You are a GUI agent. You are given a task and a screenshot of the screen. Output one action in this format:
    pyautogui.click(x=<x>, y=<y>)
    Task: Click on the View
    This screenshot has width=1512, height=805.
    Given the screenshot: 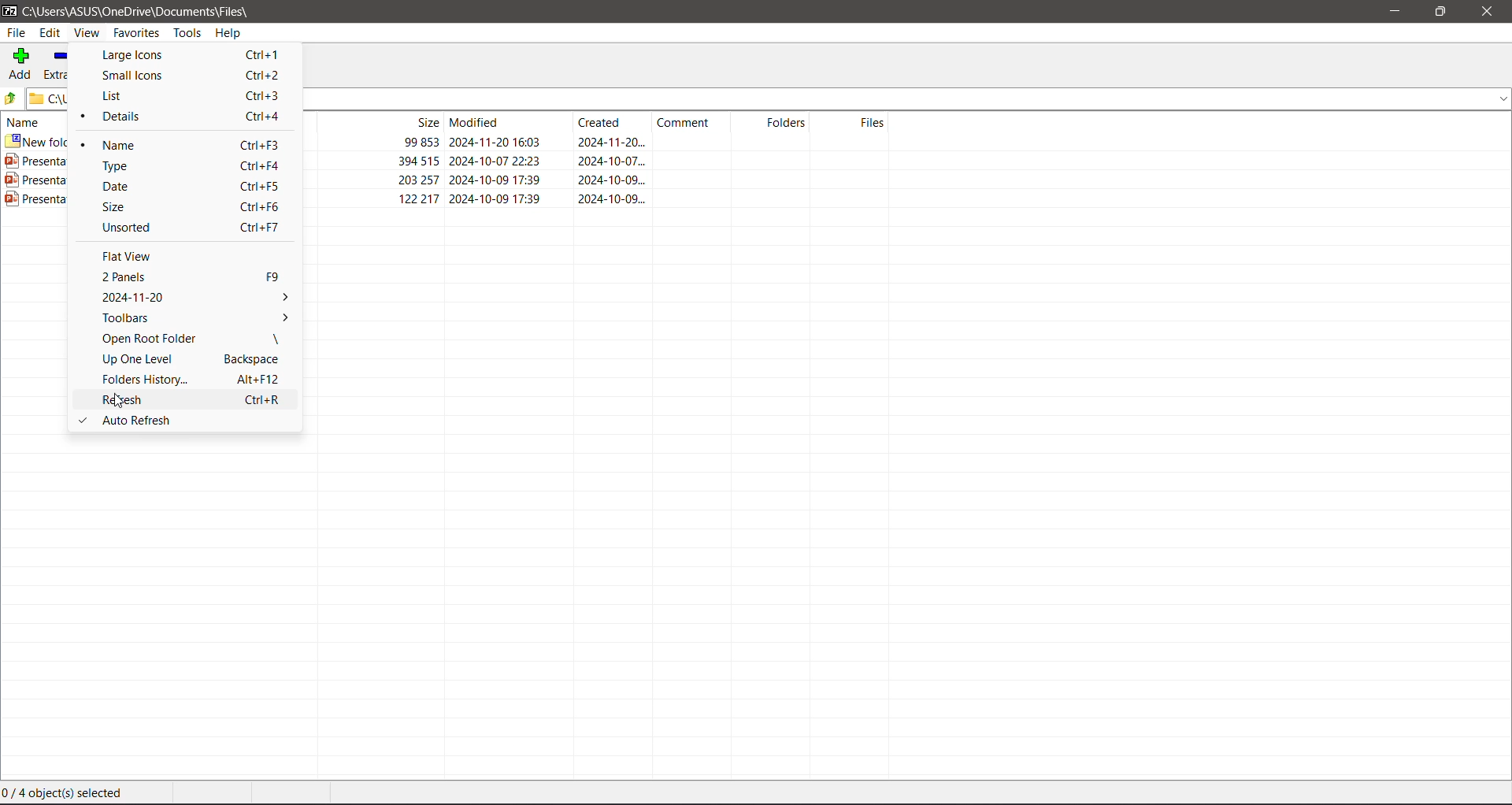 What is the action you would take?
    pyautogui.click(x=87, y=34)
    